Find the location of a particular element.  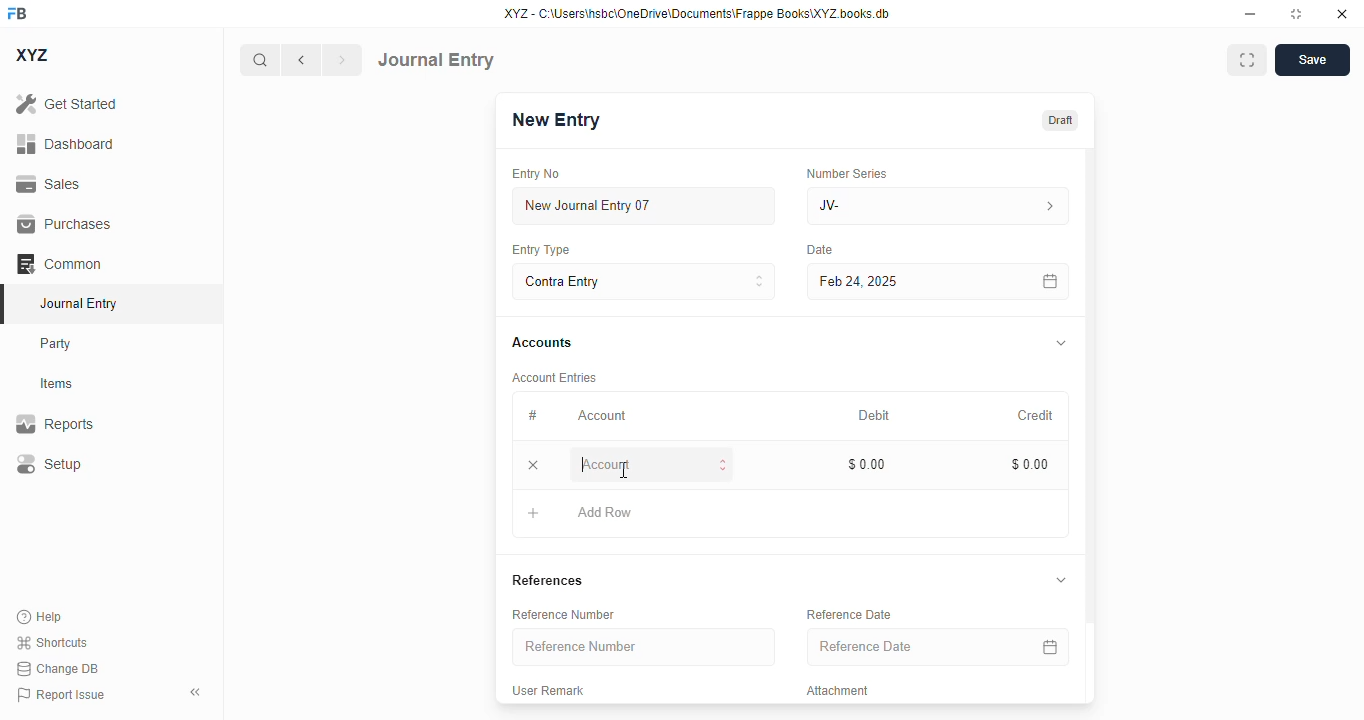

purchases is located at coordinates (66, 224).